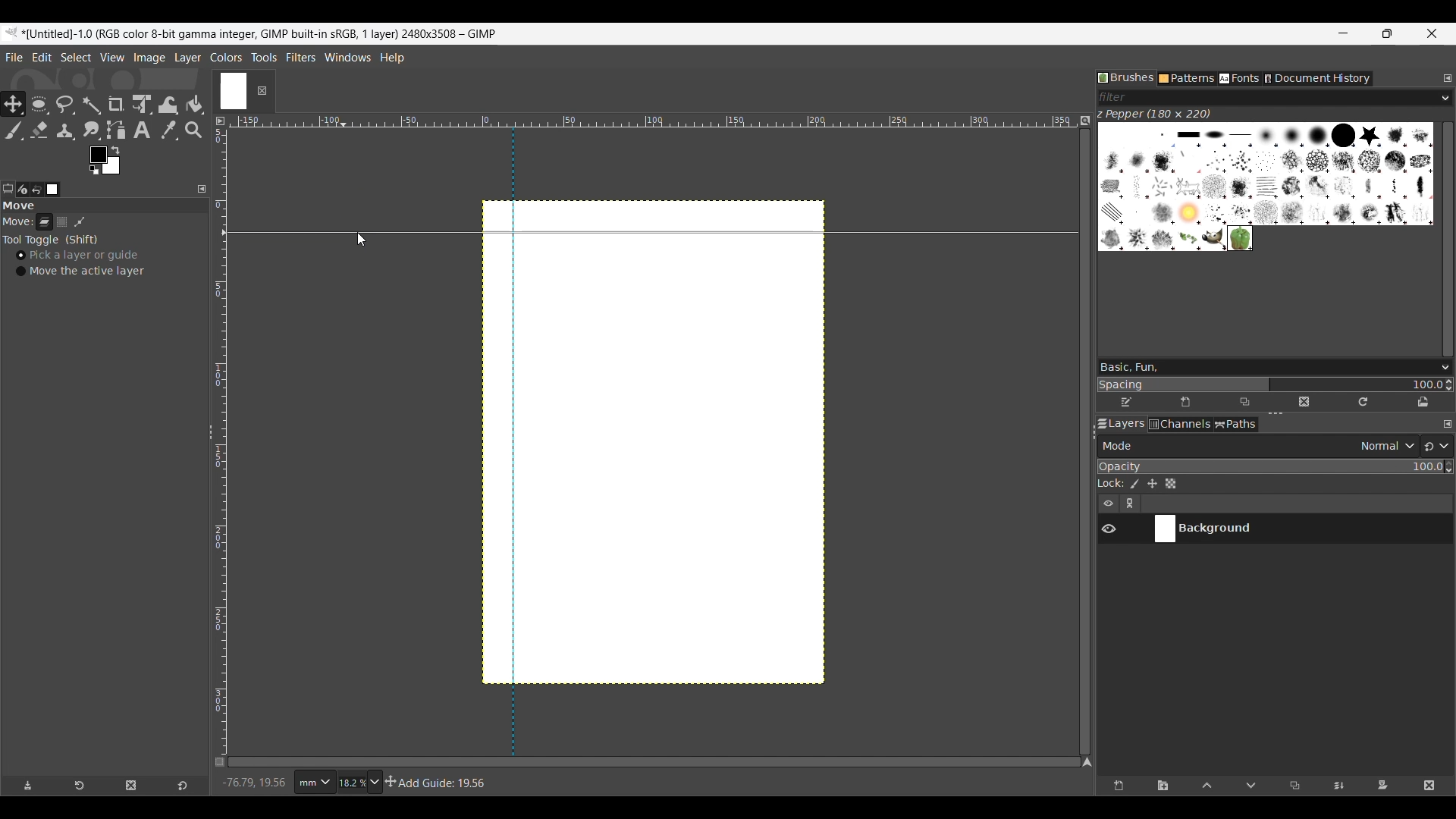  I want to click on Current layer, so click(1286, 529).